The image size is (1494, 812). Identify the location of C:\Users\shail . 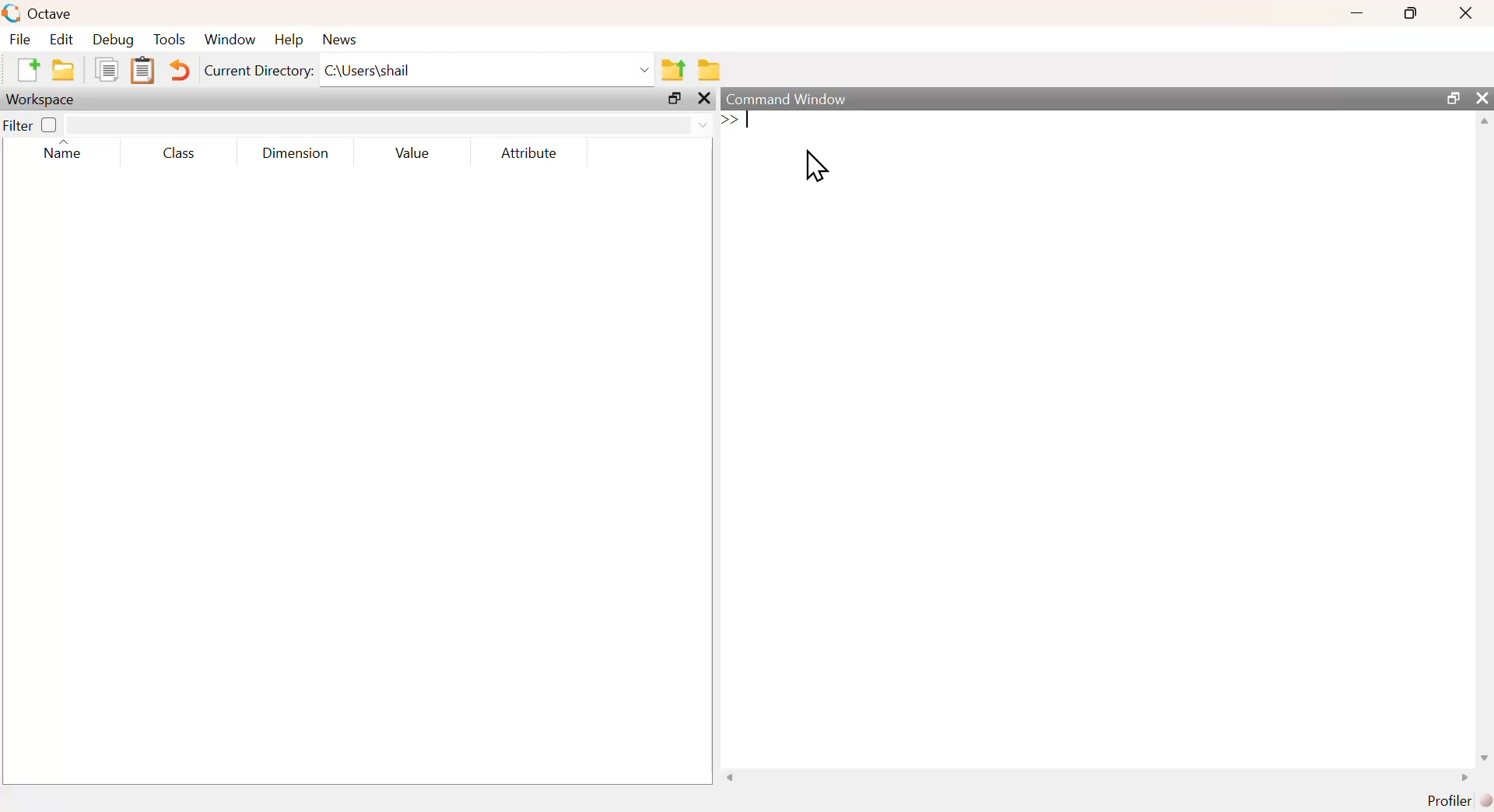
(488, 69).